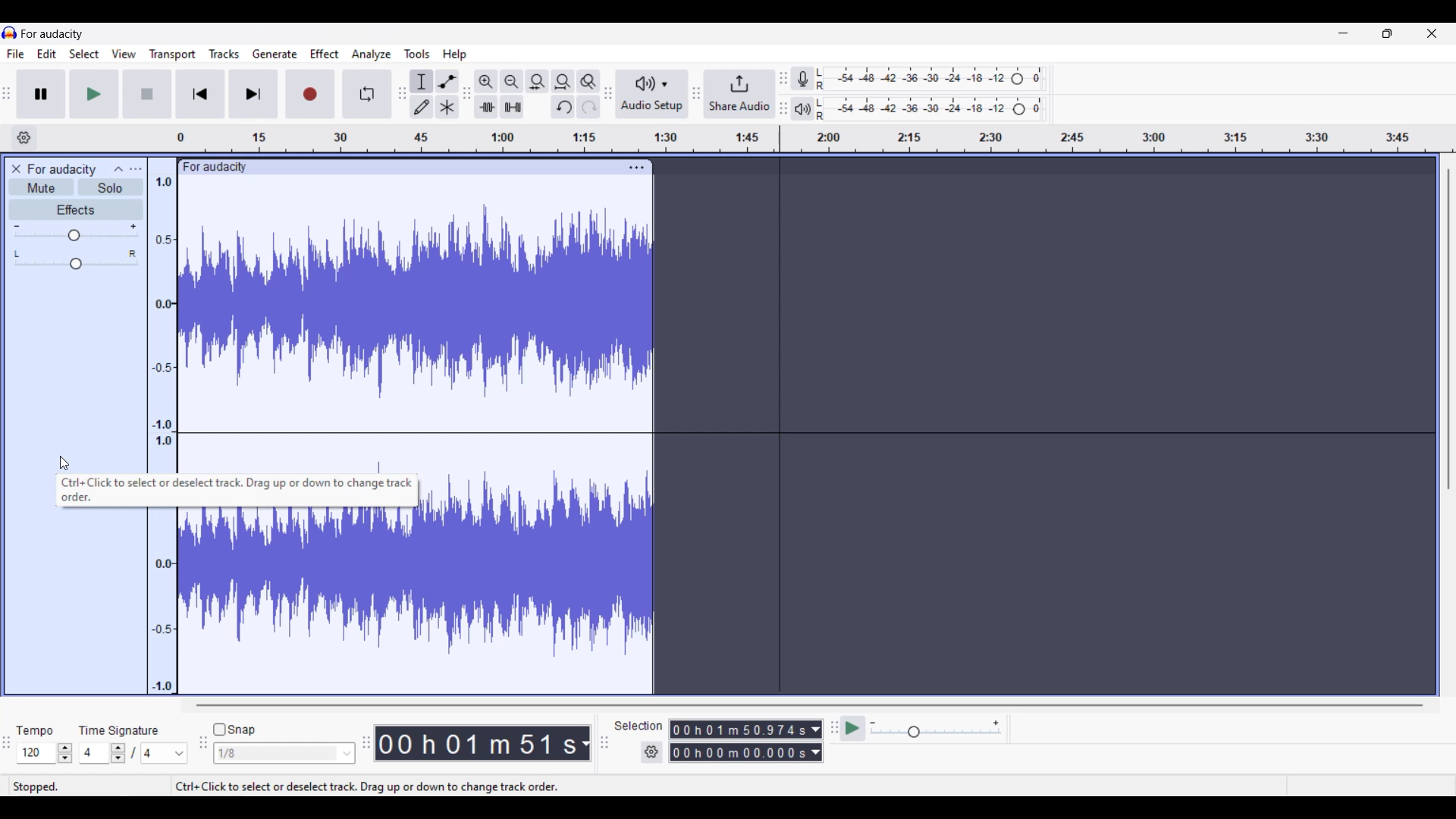 This screenshot has width=1456, height=819. What do you see at coordinates (24, 138) in the screenshot?
I see `Timeline settings` at bounding box center [24, 138].